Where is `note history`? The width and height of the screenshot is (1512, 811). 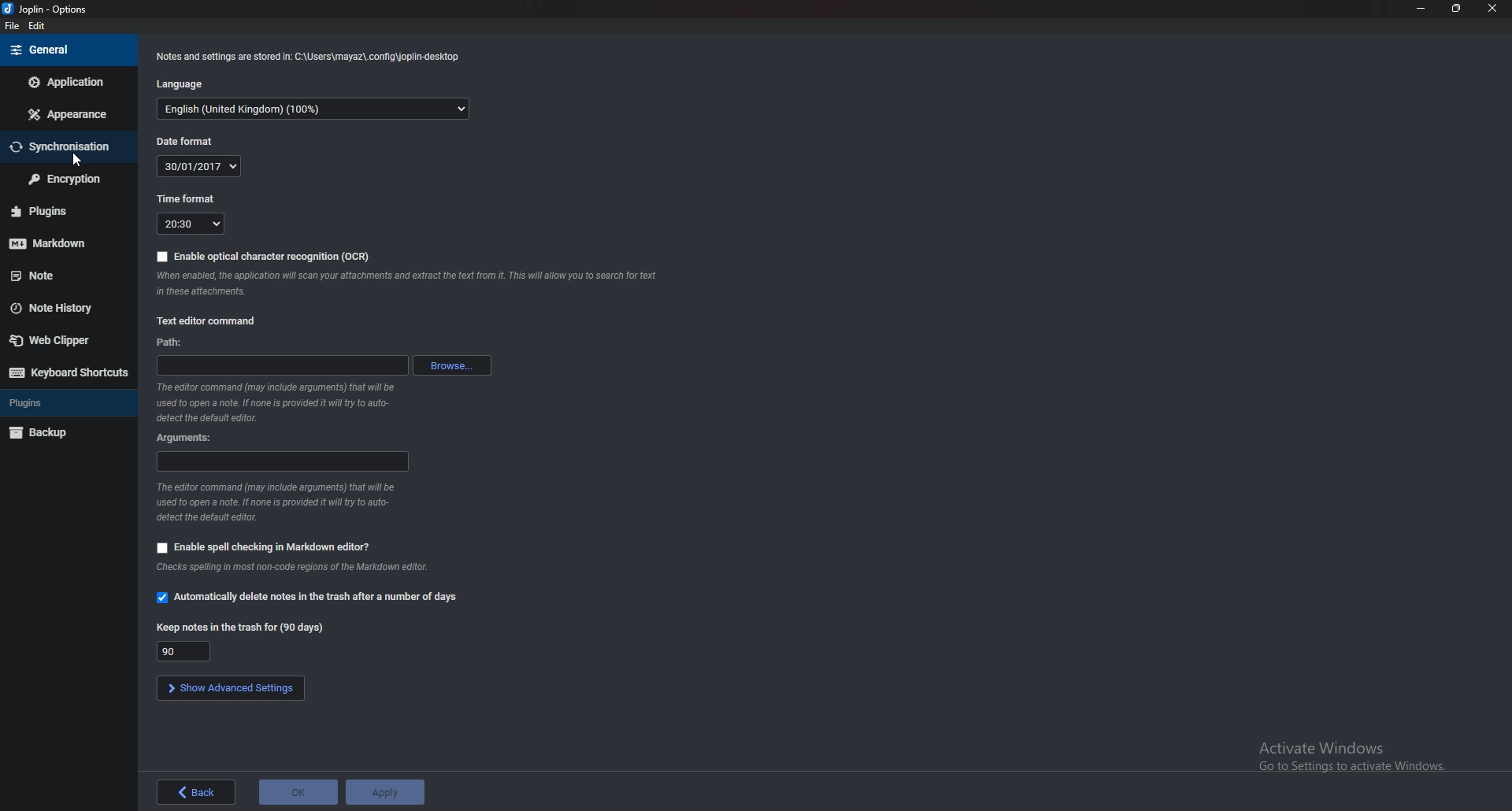
note history is located at coordinates (63, 306).